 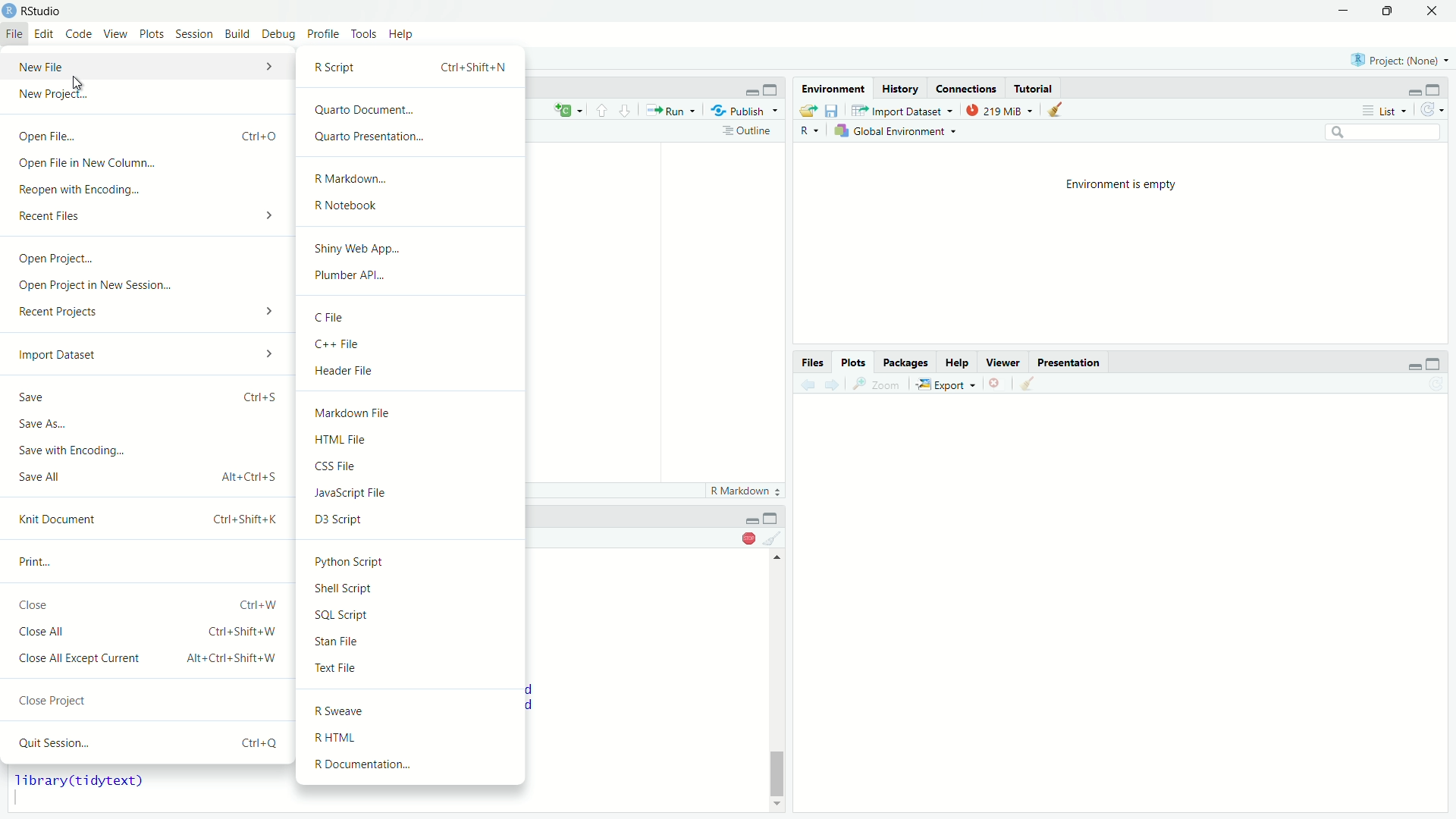 What do you see at coordinates (279, 35) in the screenshot?
I see `Debug` at bounding box center [279, 35].